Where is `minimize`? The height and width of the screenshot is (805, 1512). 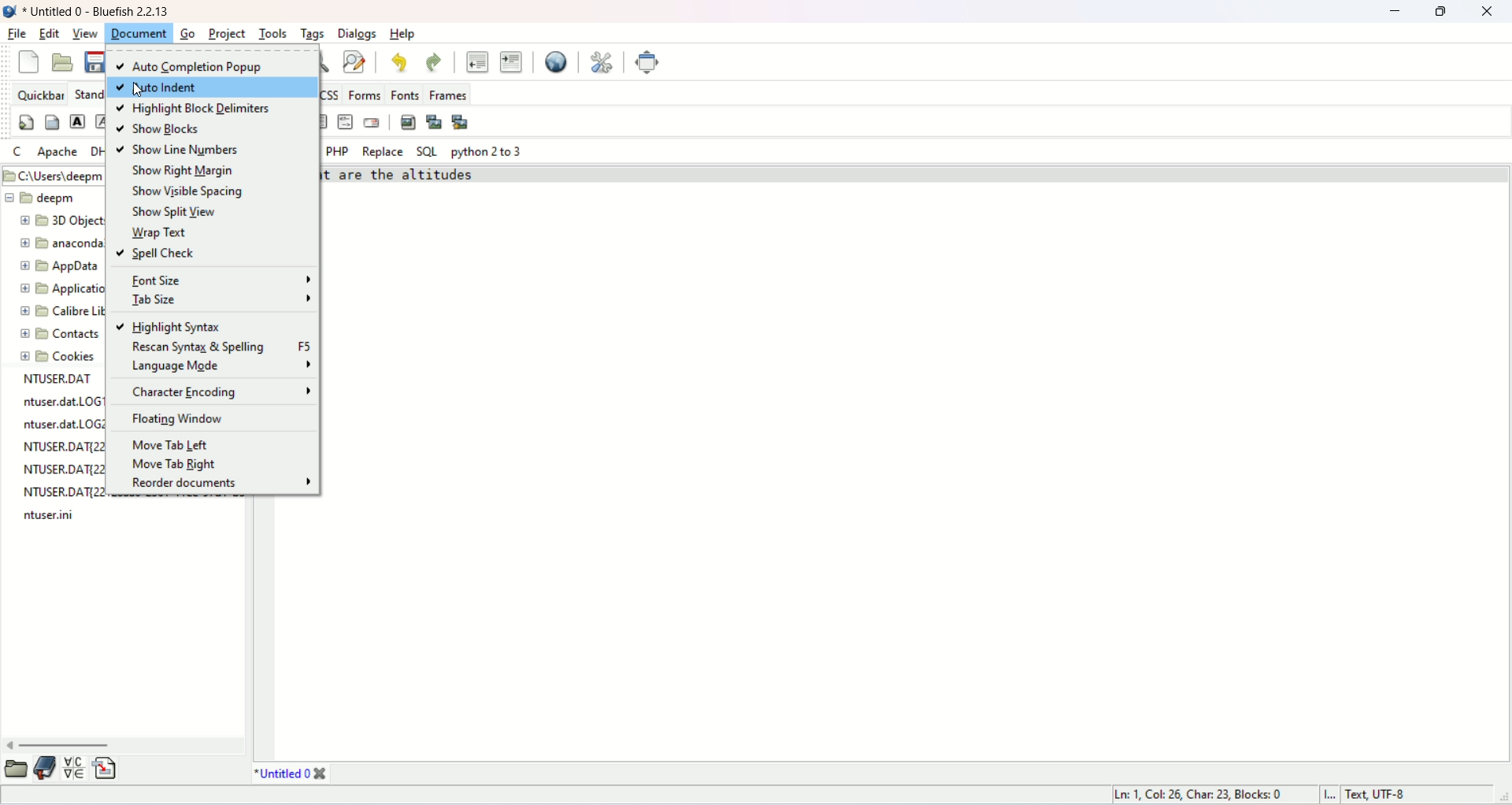 minimize is located at coordinates (1395, 13).